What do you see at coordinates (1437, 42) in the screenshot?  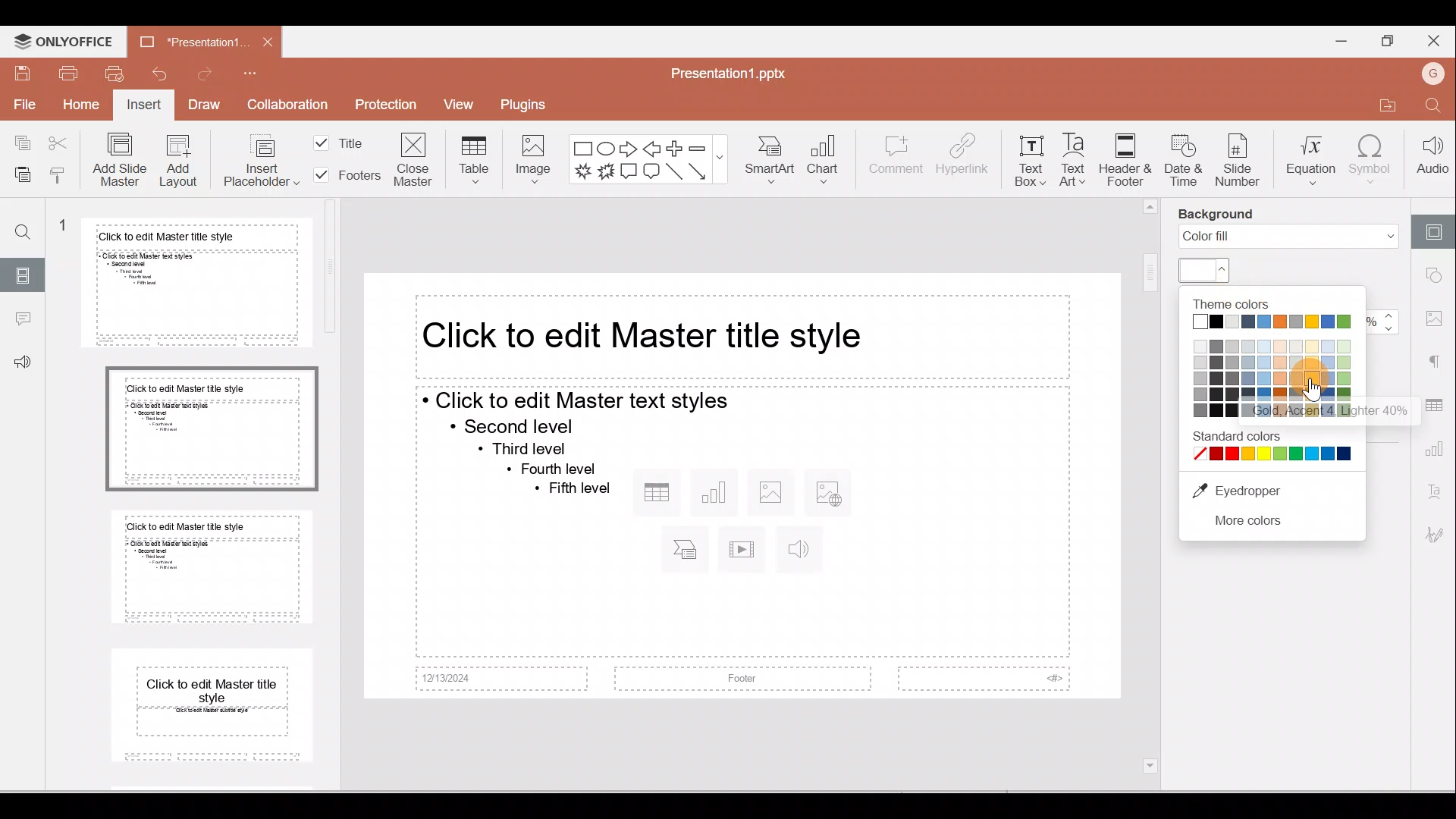 I see `Close` at bounding box center [1437, 42].